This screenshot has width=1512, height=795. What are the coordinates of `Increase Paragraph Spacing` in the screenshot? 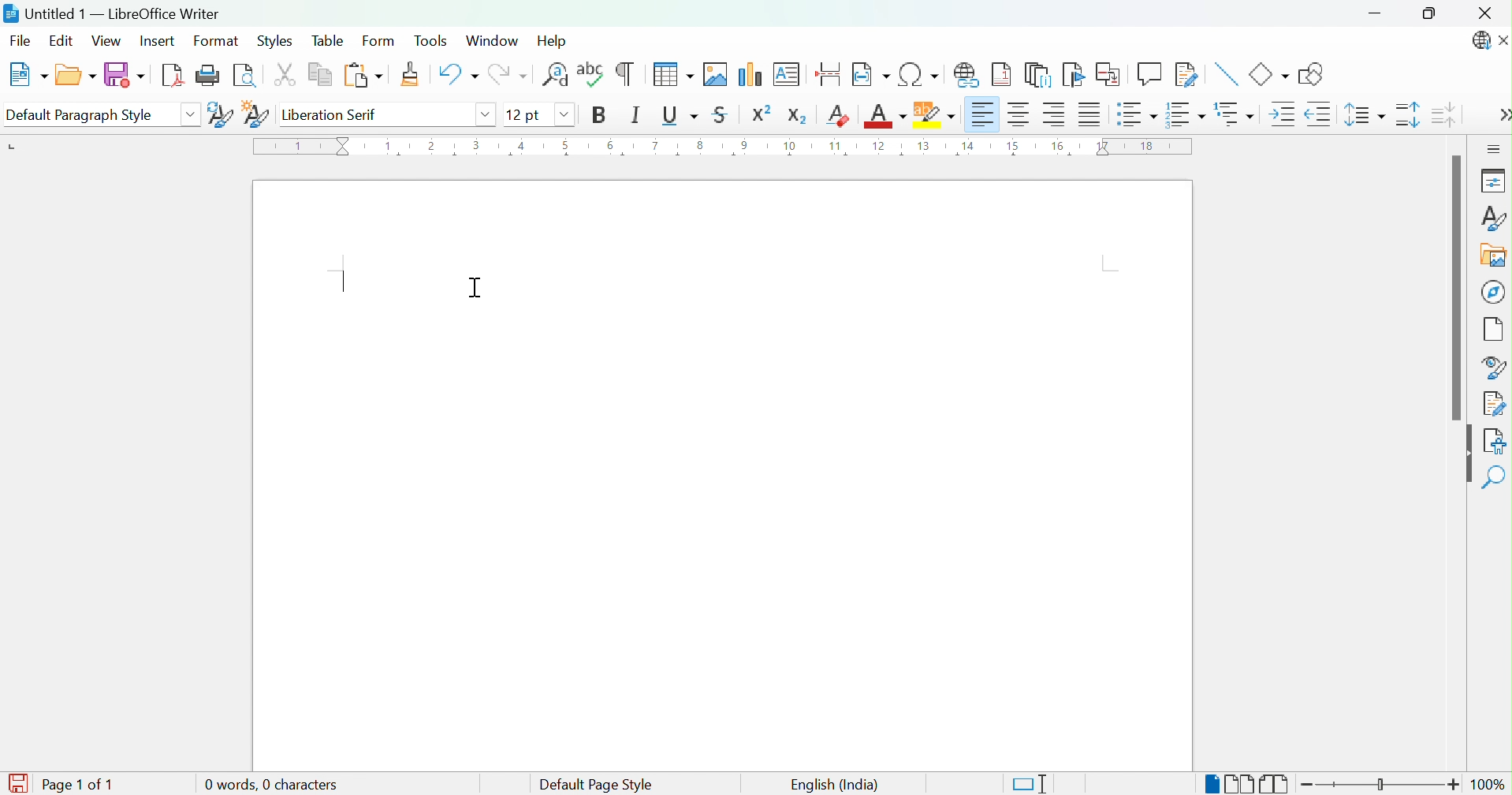 It's located at (1408, 116).